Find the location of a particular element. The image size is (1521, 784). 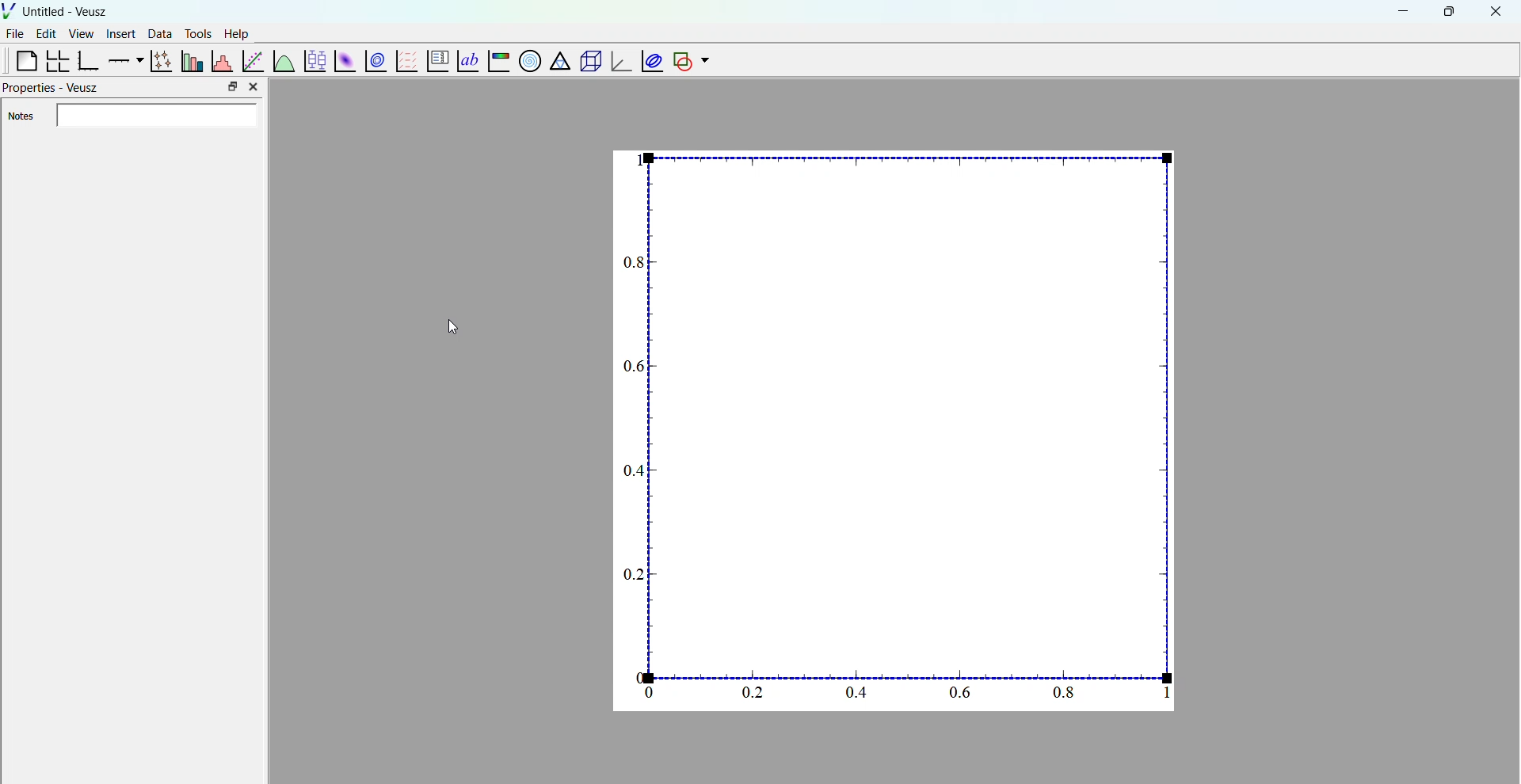

0.4 is located at coordinates (634, 470).